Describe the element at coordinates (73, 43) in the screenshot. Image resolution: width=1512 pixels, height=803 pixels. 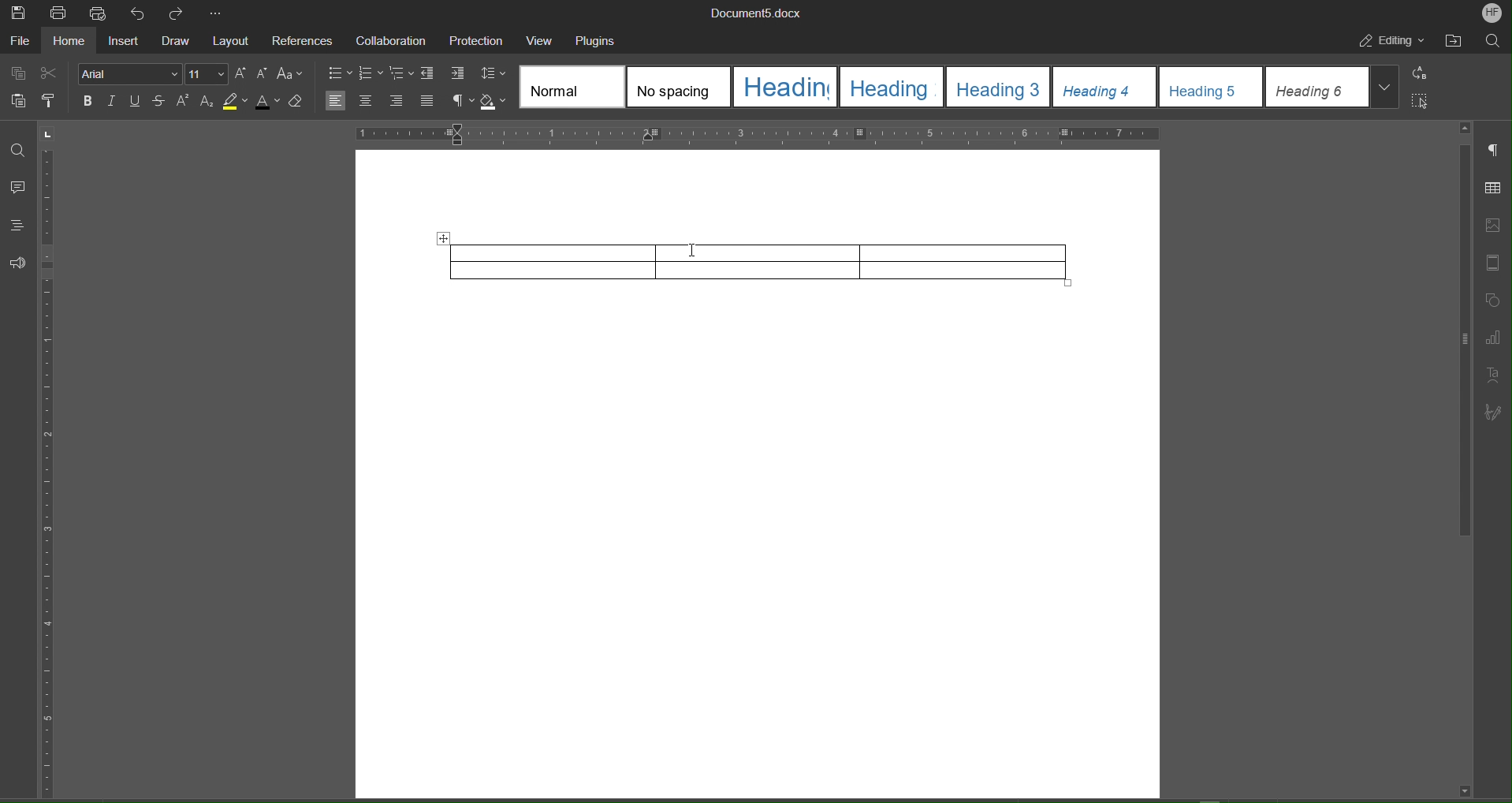
I see `Home` at that location.